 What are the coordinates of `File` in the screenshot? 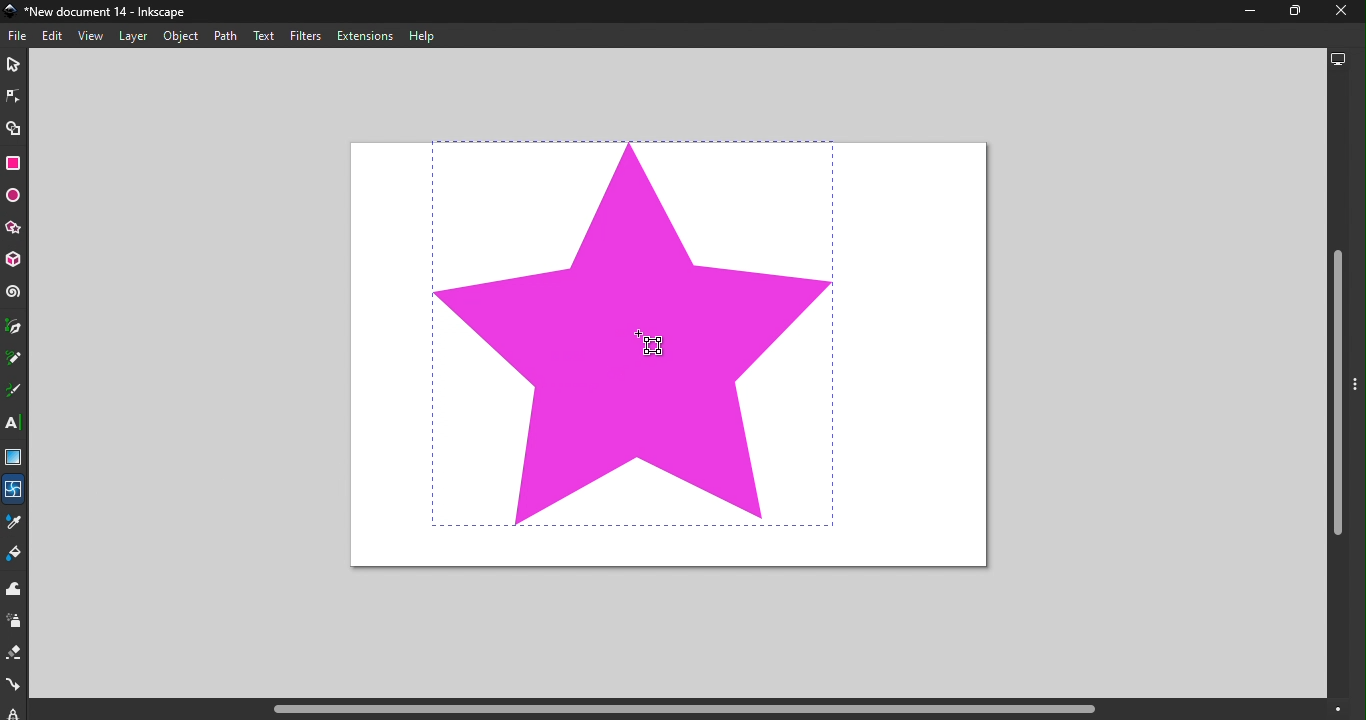 It's located at (20, 36).